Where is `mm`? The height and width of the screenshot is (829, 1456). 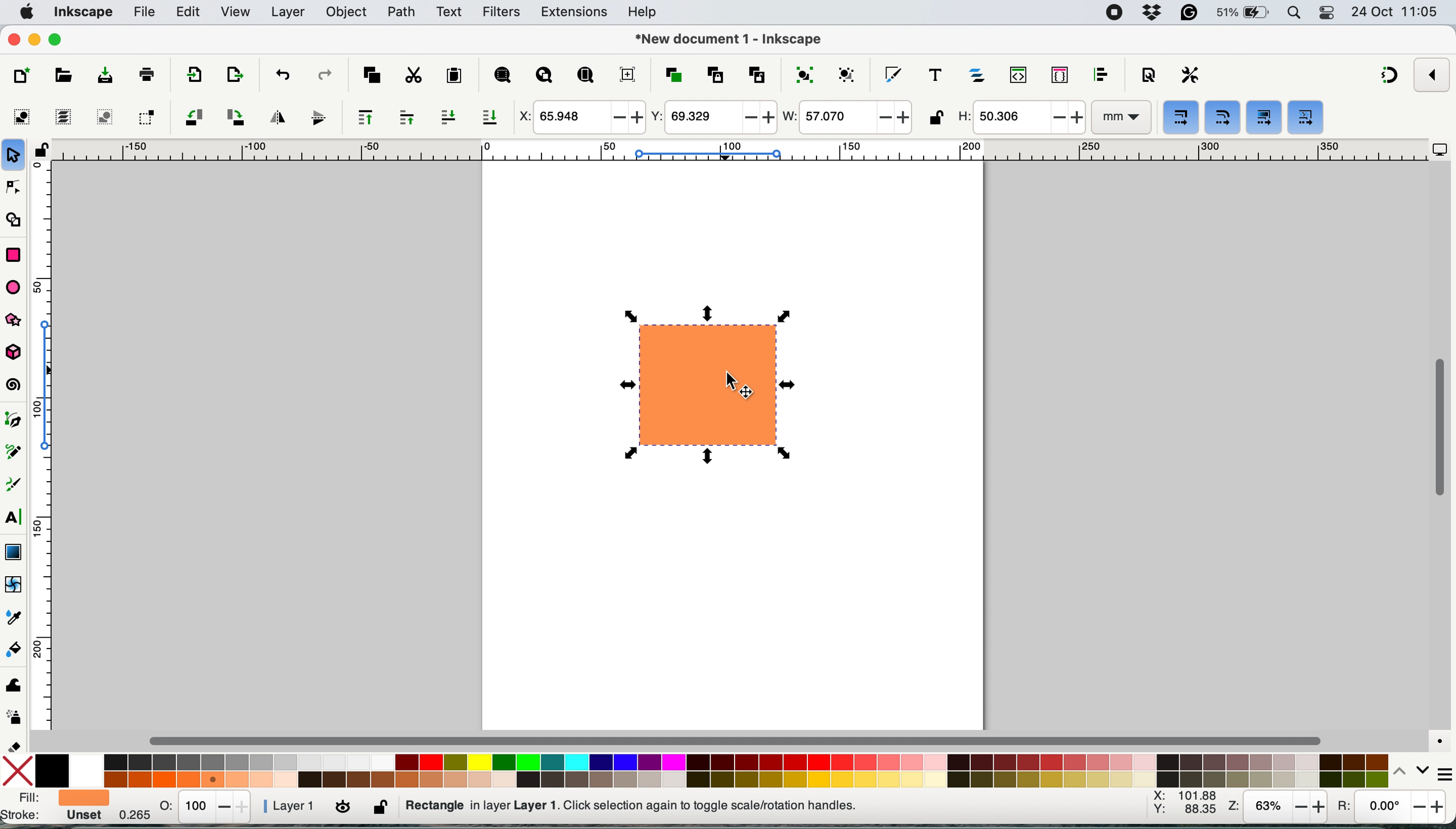 mm is located at coordinates (1119, 118).